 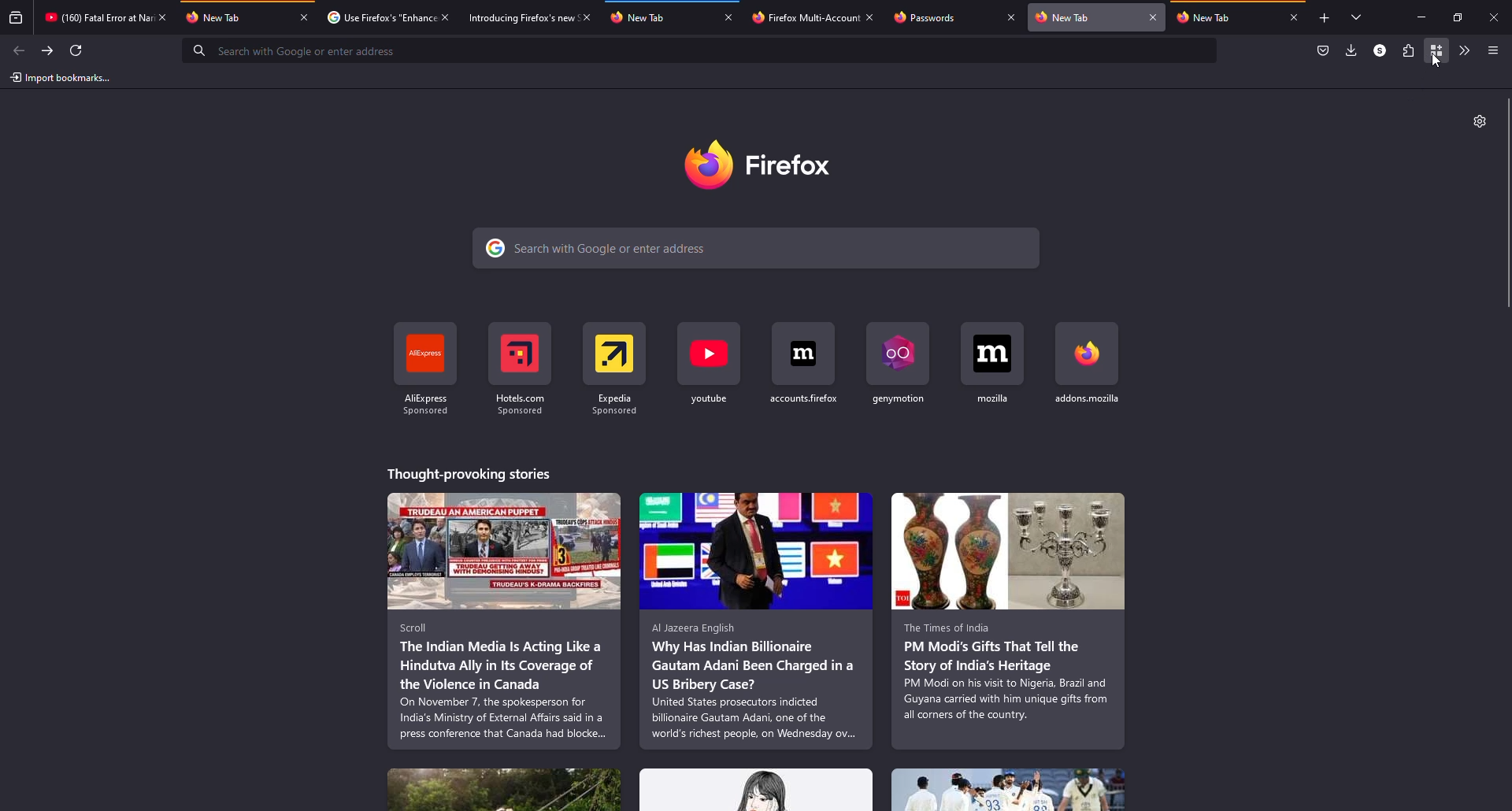 What do you see at coordinates (377, 17) in the screenshot?
I see `tab` at bounding box center [377, 17].